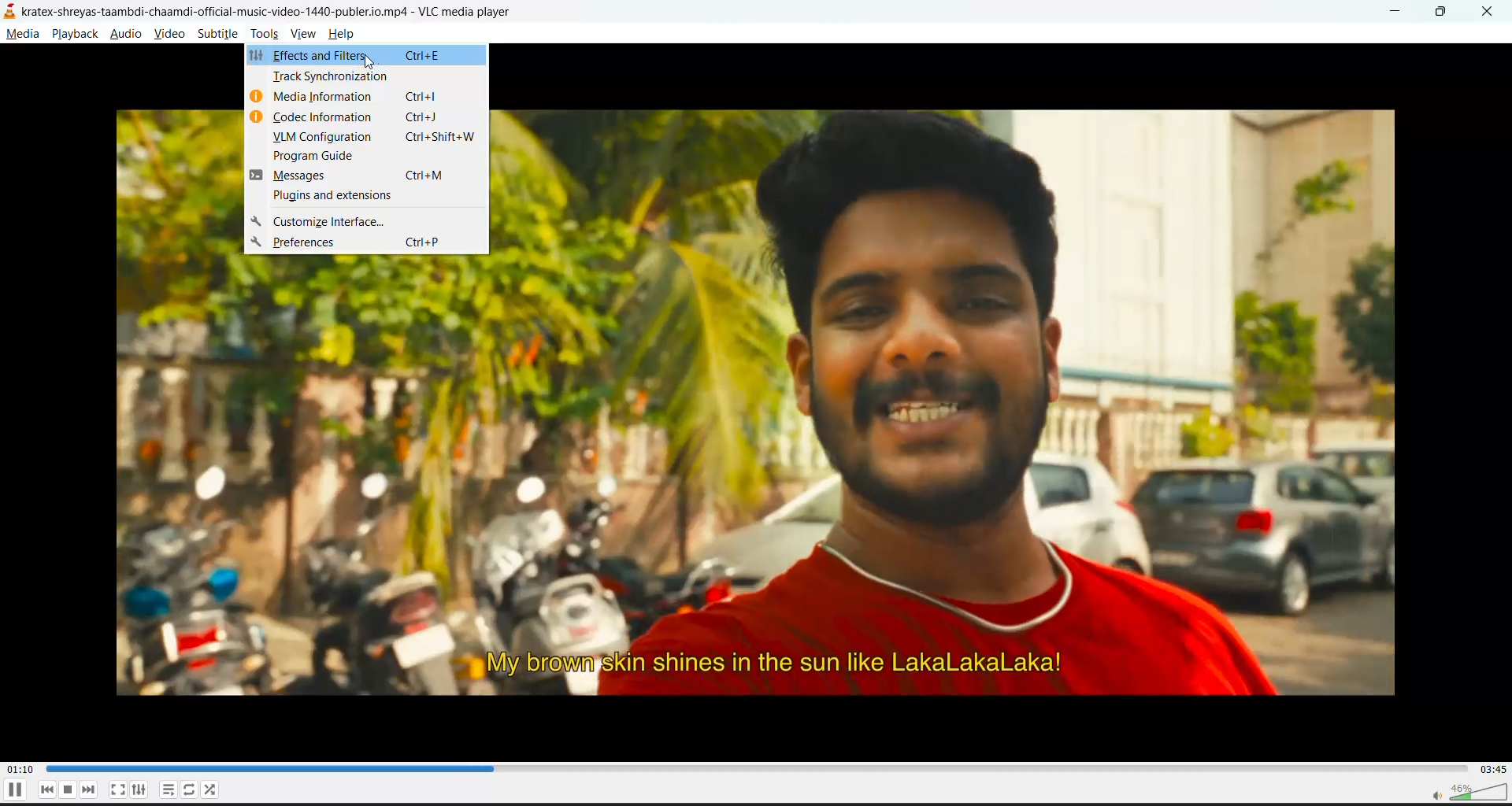 Image resolution: width=1512 pixels, height=806 pixels. What do you see at coordinates (368, 243) in the screenshot?
I see `preferences` at bounding box center [368, 243].